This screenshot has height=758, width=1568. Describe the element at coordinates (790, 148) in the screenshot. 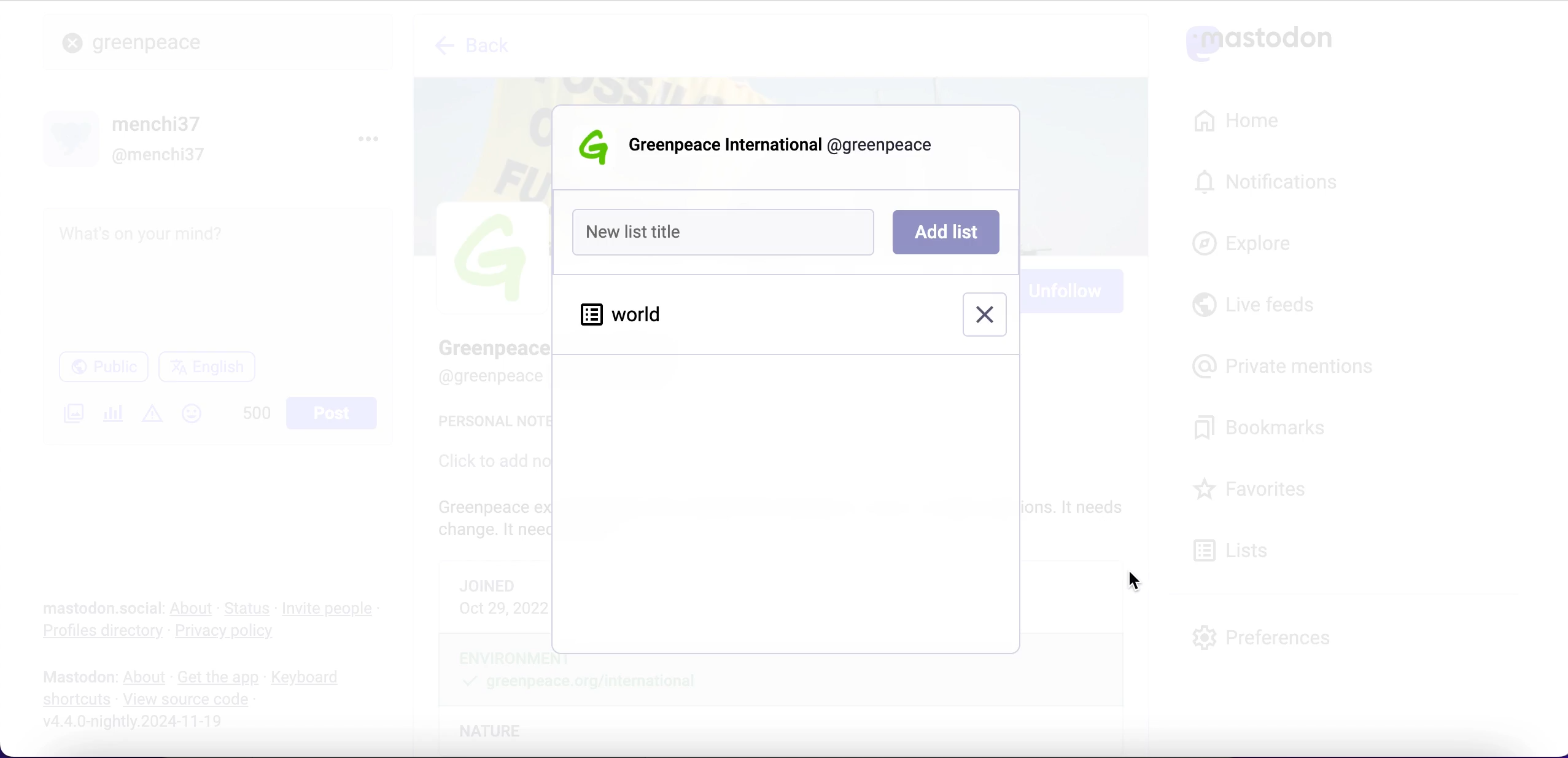

I see `user` at that location.